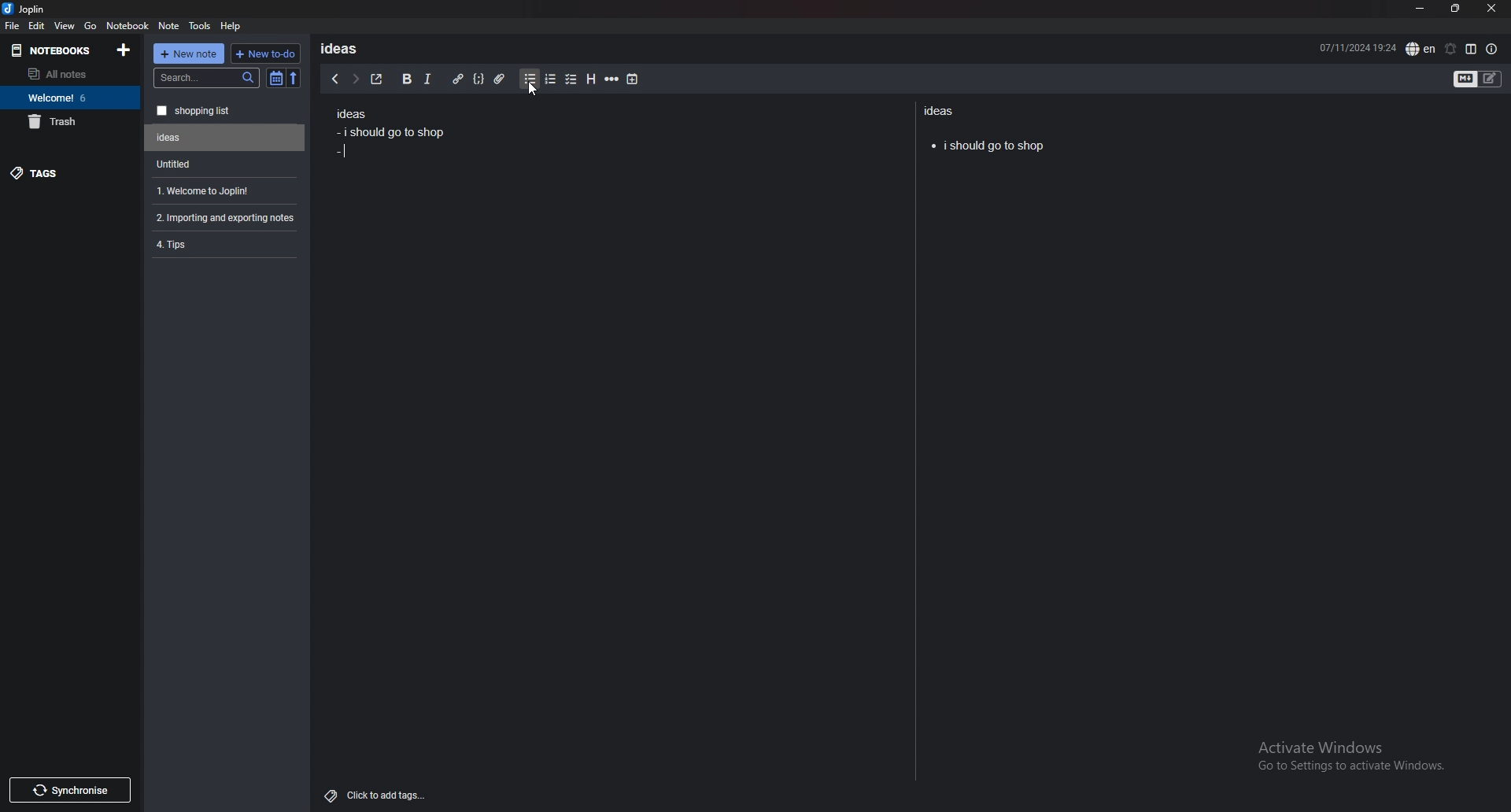 This screenshot has height=812, width=1511. Describe the element at coordinates (91, 24) in the screenshot. I see `go` at that location.